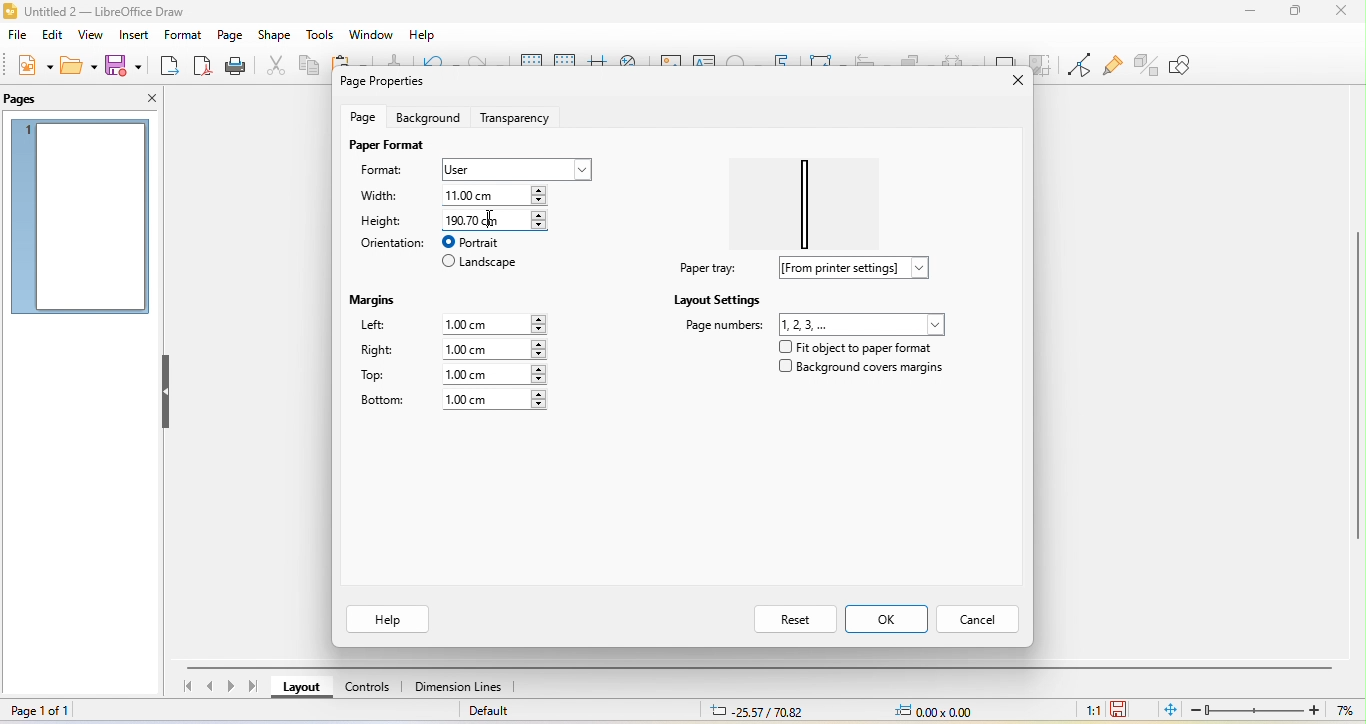 The image size is (1366, 724). Describe the element at coordinates (321, 36) in the screenshot. I see `tools` at that location.